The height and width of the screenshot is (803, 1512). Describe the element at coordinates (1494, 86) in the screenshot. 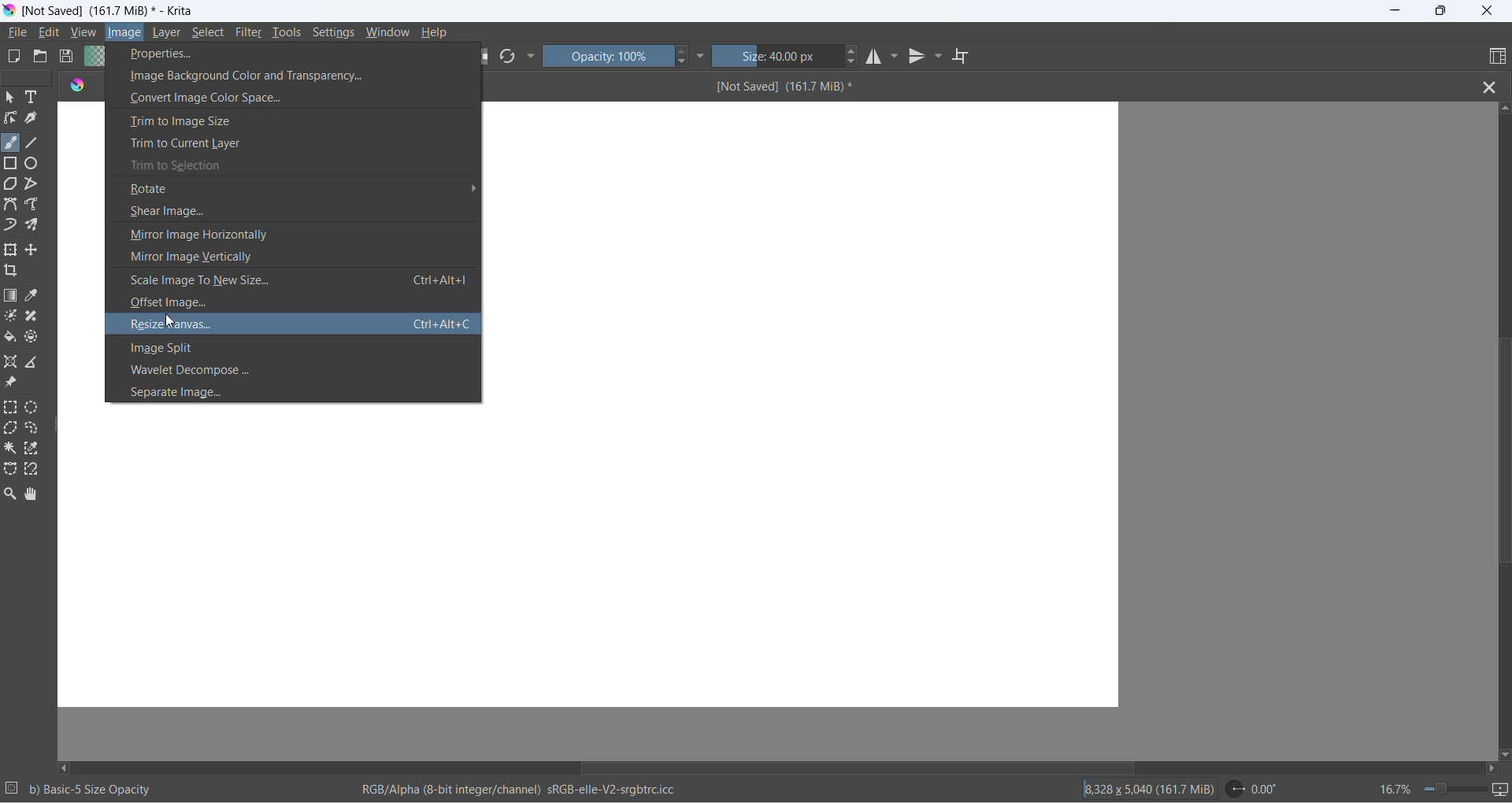

I see `close file` at that location.